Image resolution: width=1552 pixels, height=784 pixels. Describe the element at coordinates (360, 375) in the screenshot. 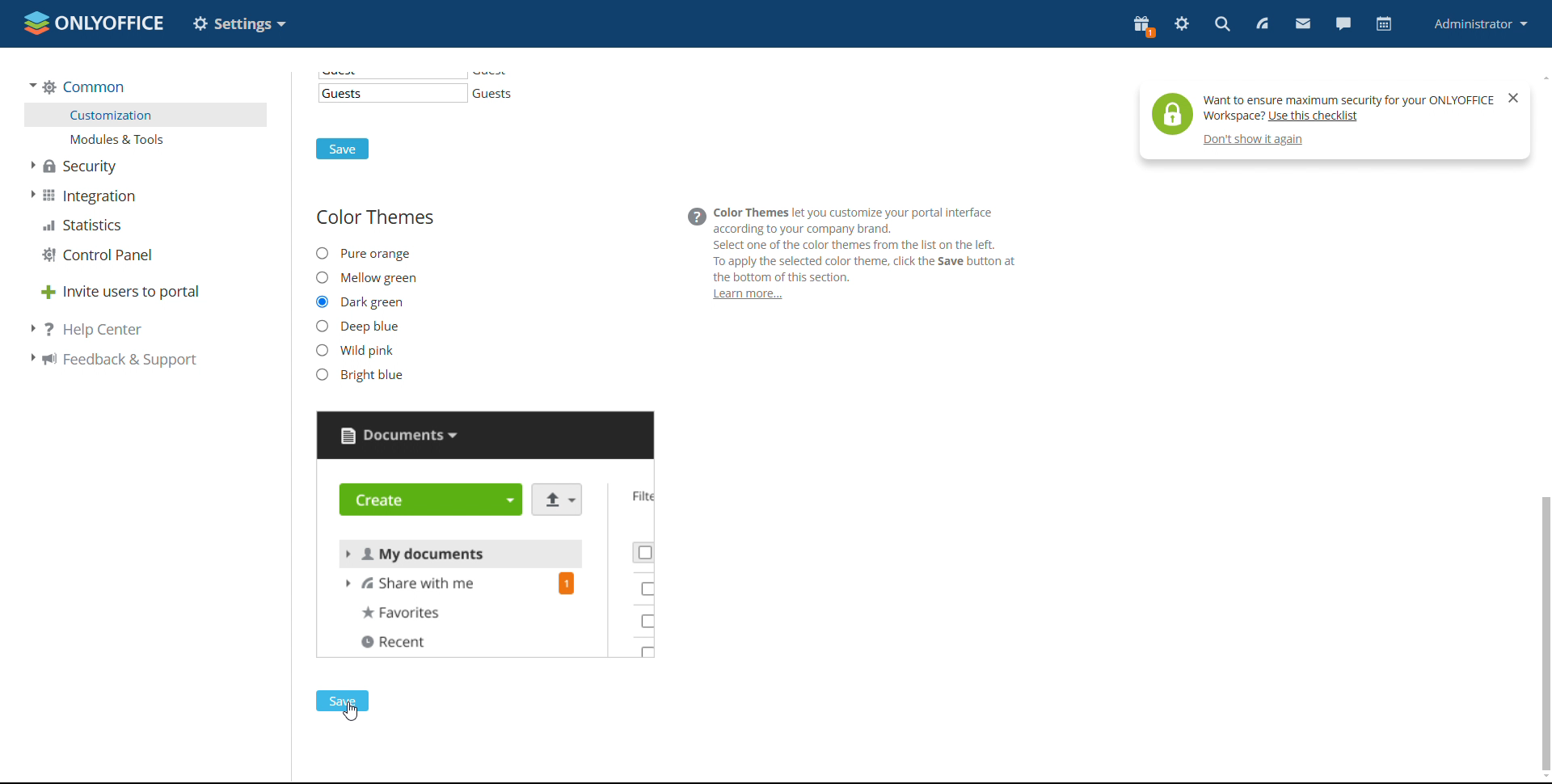

I see `bright blue` at that location.